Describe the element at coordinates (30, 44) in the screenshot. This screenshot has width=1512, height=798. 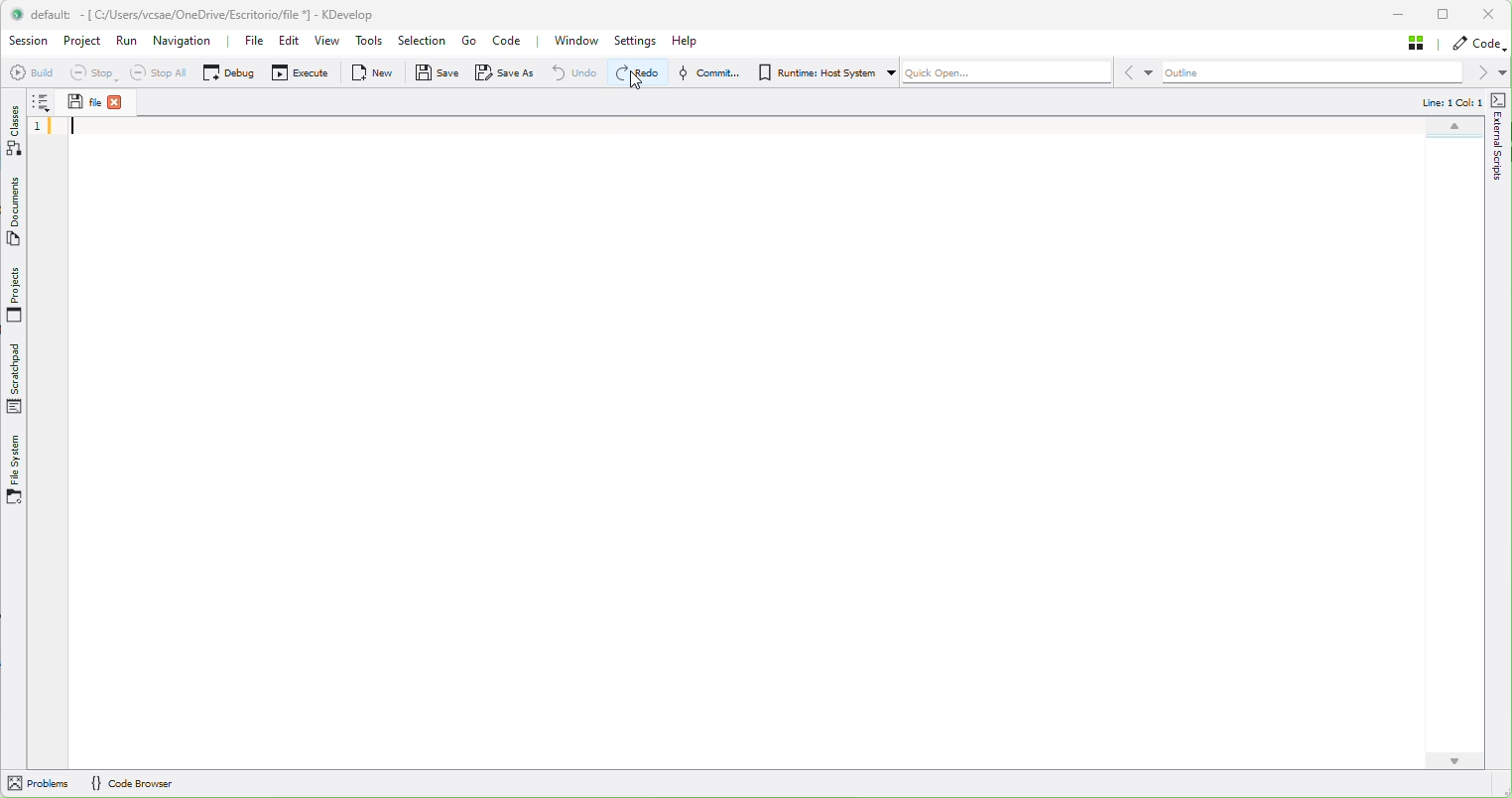
I see `Sessopm` at that location.